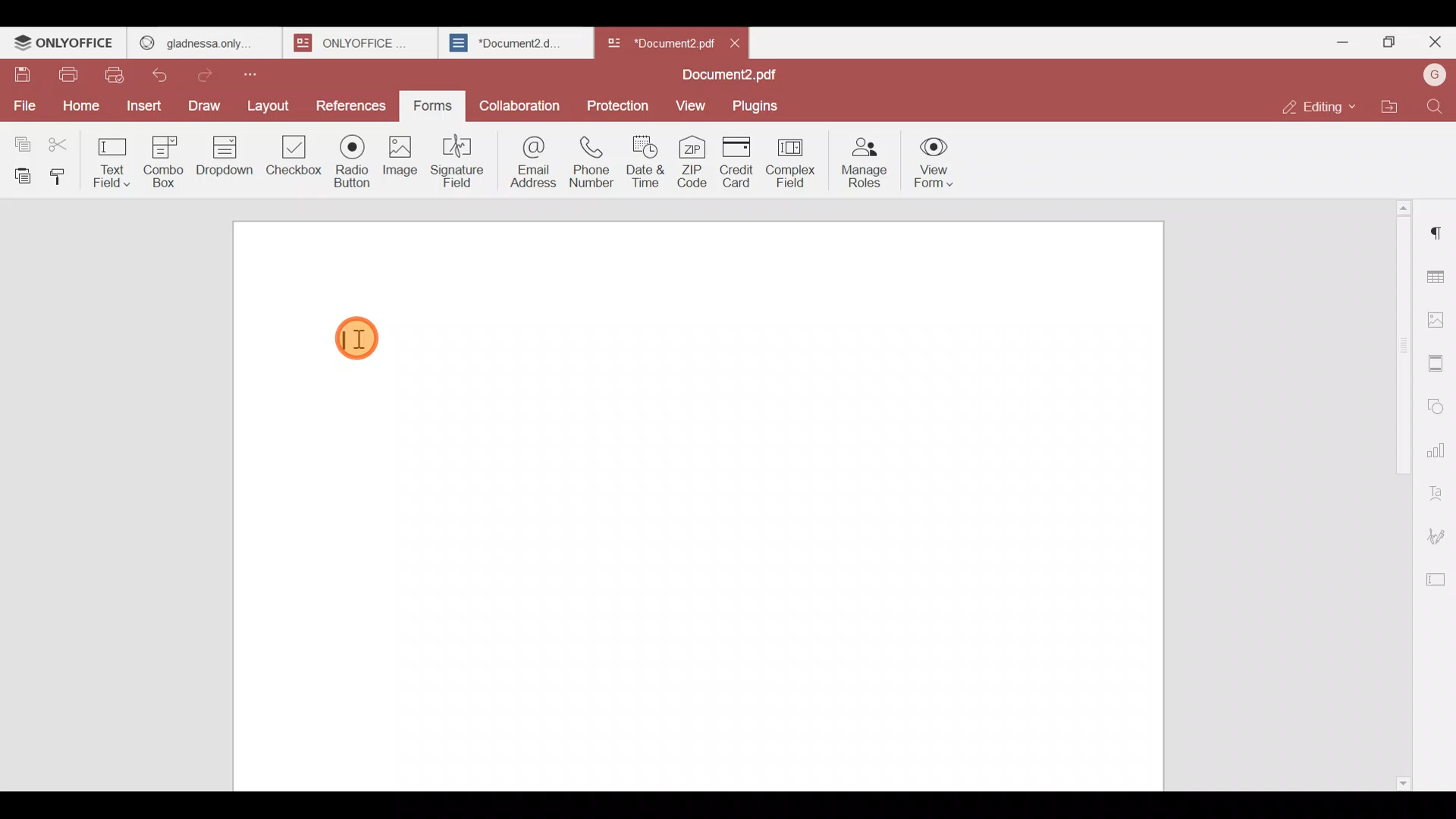 The height and width of the screenshot is (819, 1456). I want to click on Cut, so click(64, 140).